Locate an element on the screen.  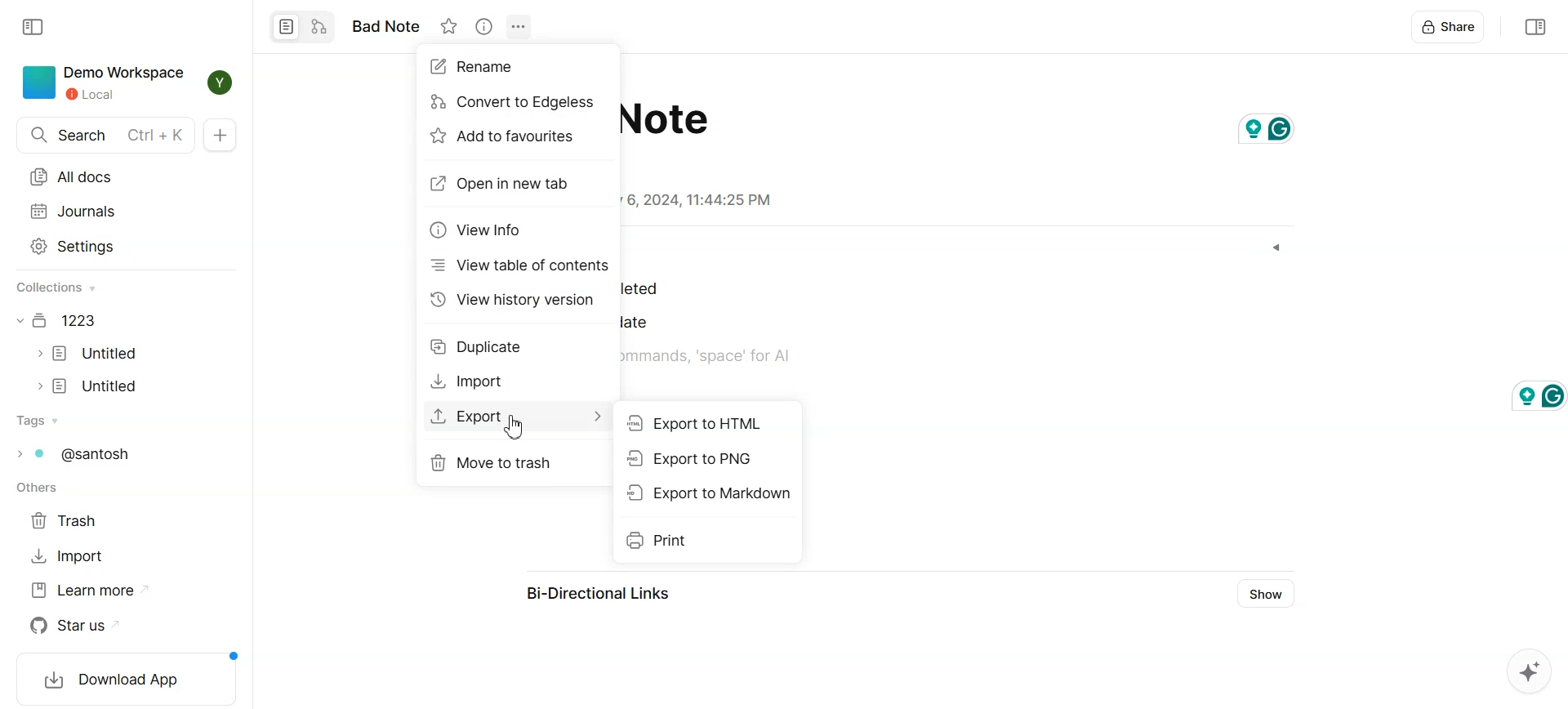
grammarly is located at coordinates (1267, 125).